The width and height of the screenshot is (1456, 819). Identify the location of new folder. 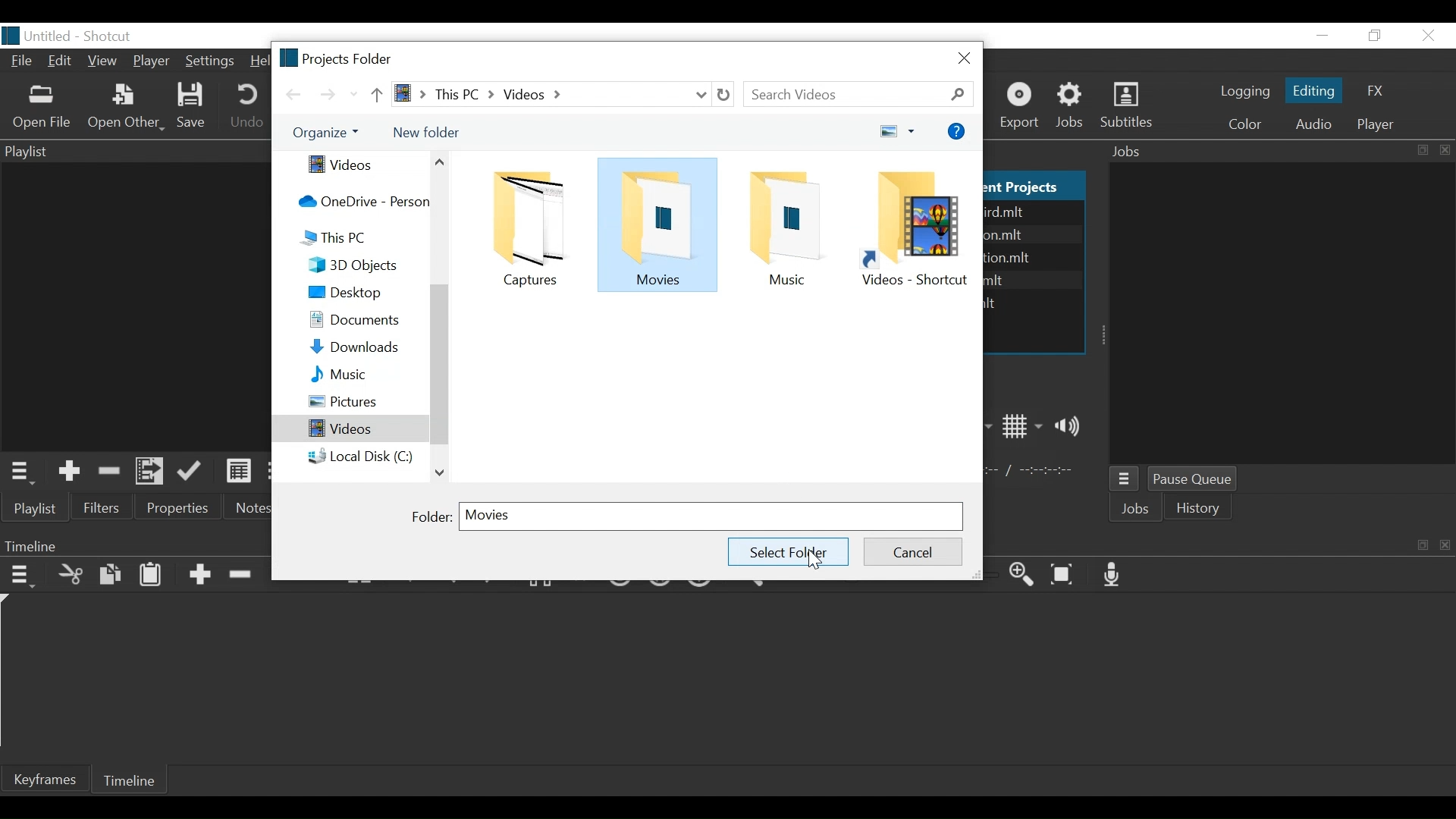
(422, 133).